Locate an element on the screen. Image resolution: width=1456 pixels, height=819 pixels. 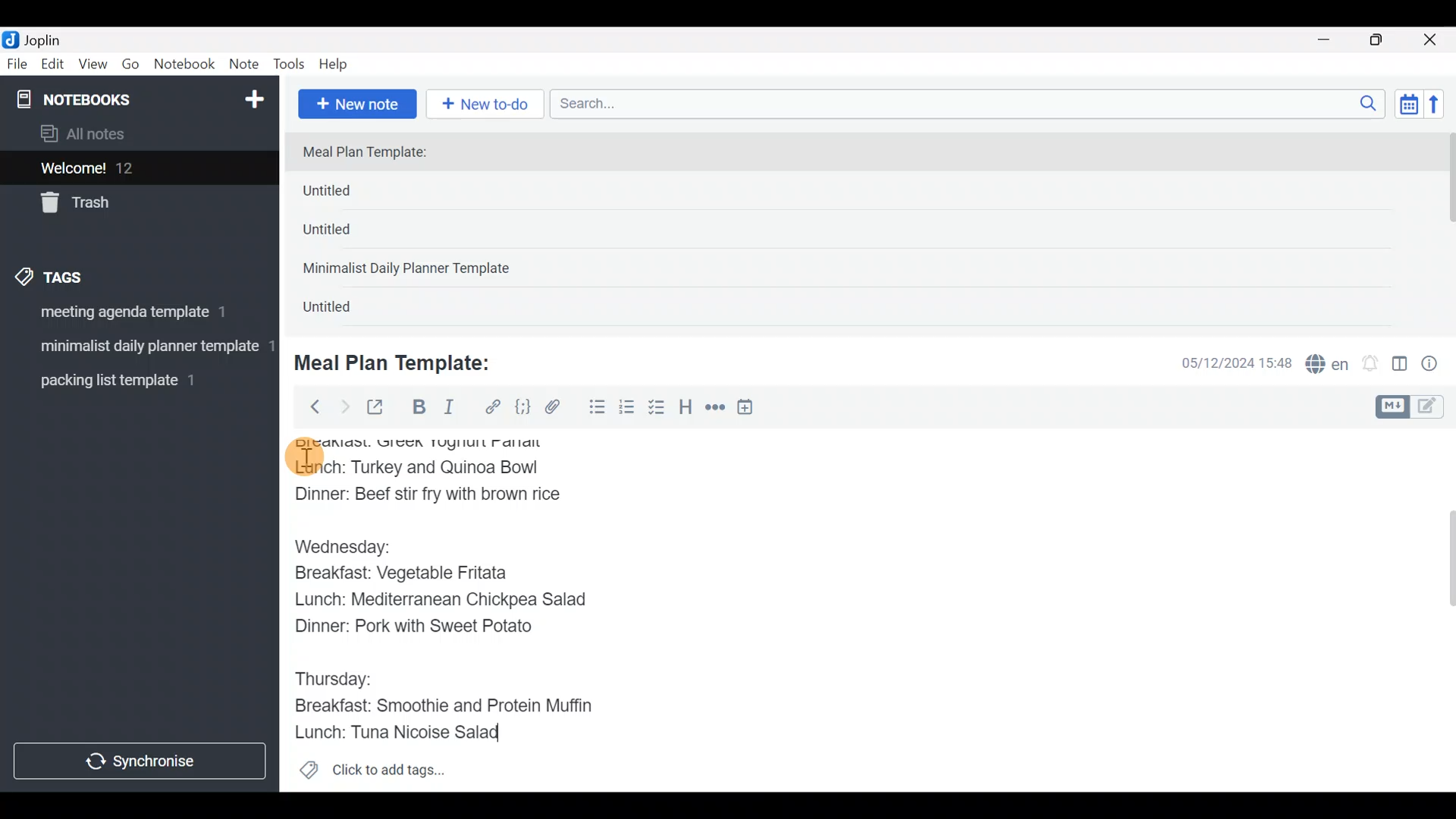
Insert time is located at coordinates (752, 409).